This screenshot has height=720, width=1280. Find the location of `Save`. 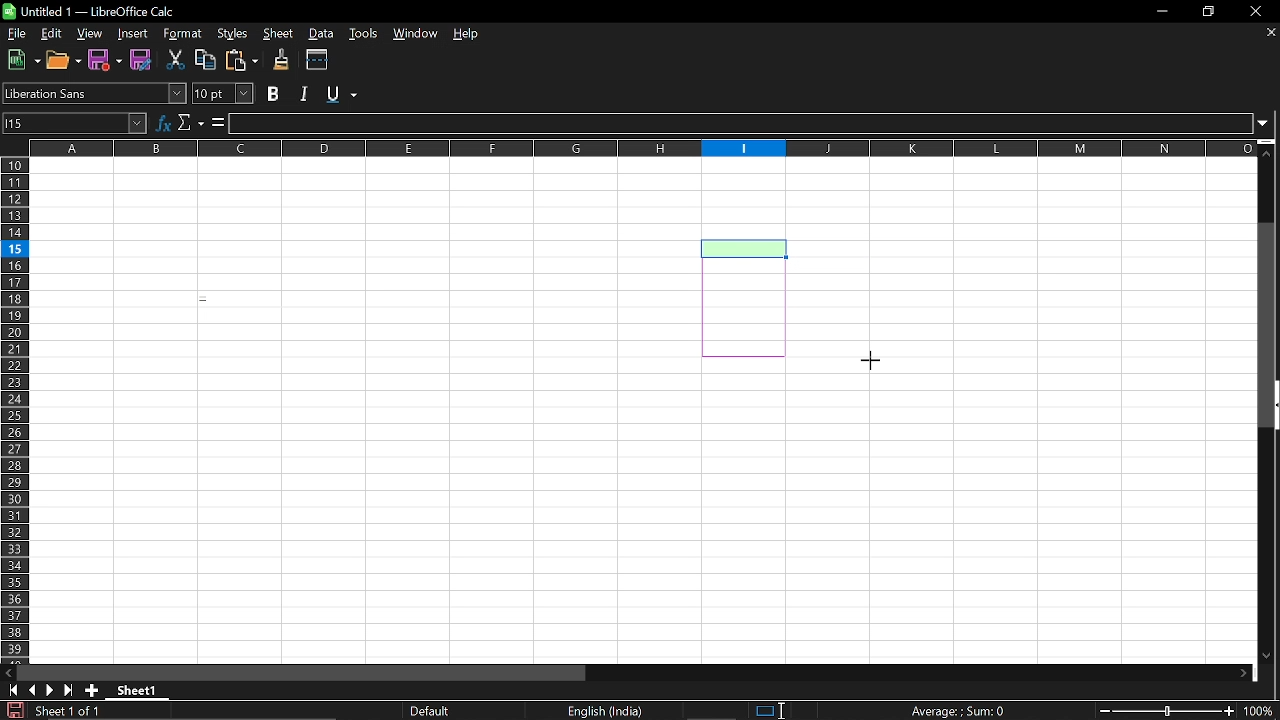

Save is located at coordinates (12, 711).